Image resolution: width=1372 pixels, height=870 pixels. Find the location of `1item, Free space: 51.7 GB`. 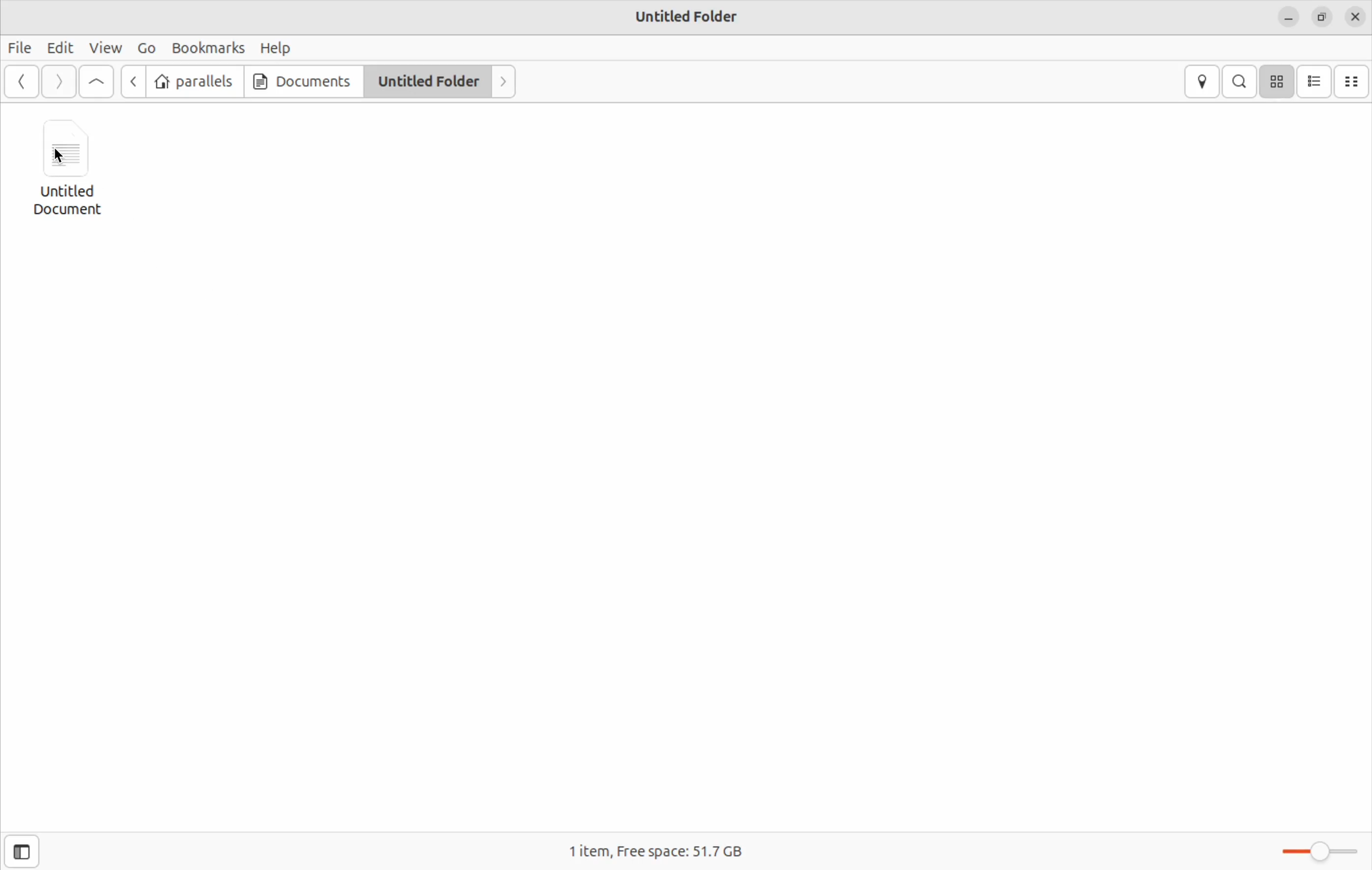

1item, Free space: 51.7 GB is located at coordinates (659, 846).